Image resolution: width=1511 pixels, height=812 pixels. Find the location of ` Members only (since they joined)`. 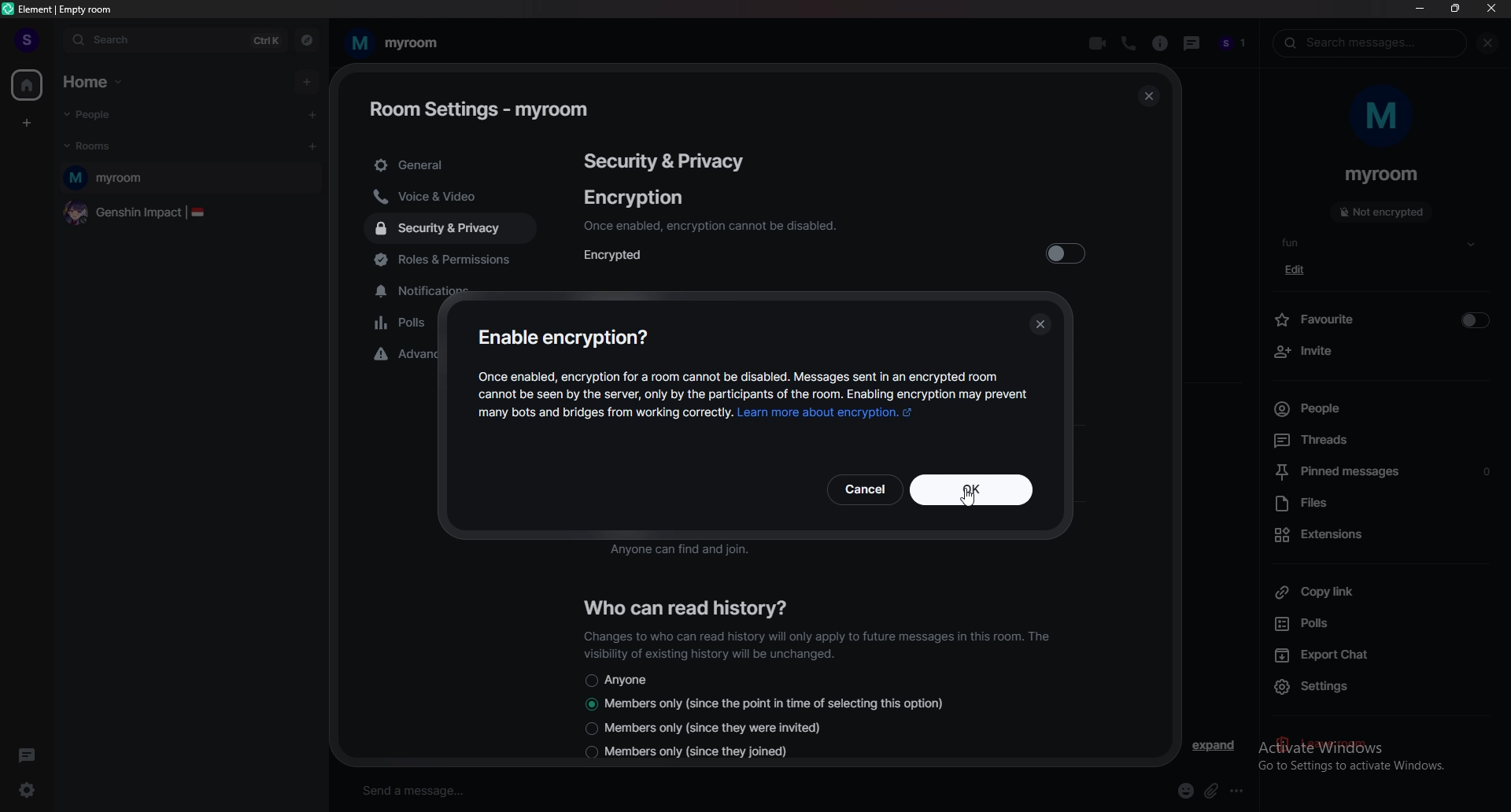

 Members only (since they joined) is located at coordinates (686, 753).